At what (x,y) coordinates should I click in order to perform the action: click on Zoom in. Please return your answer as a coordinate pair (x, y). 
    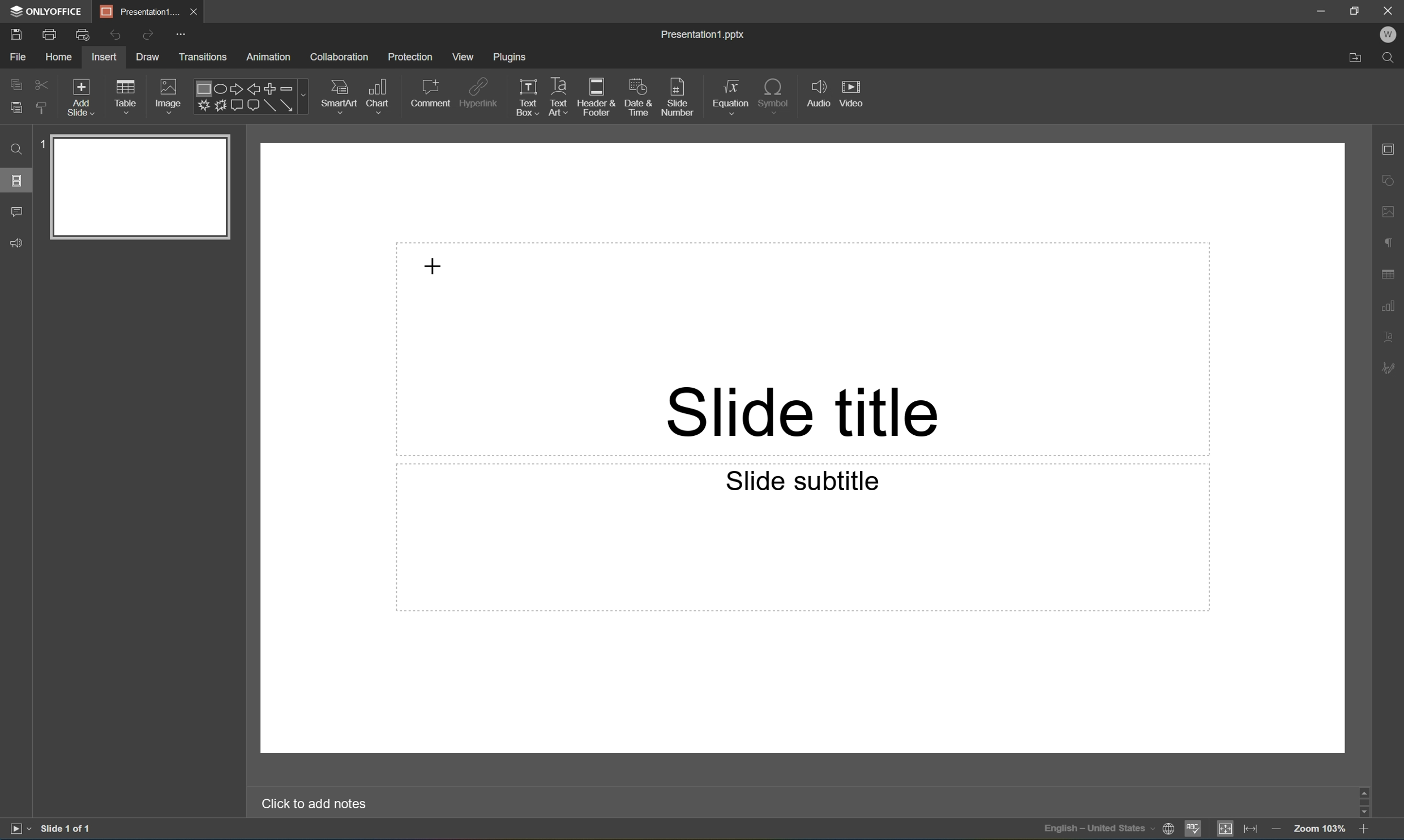
    Looking at the image, I should click on (1367, 829).